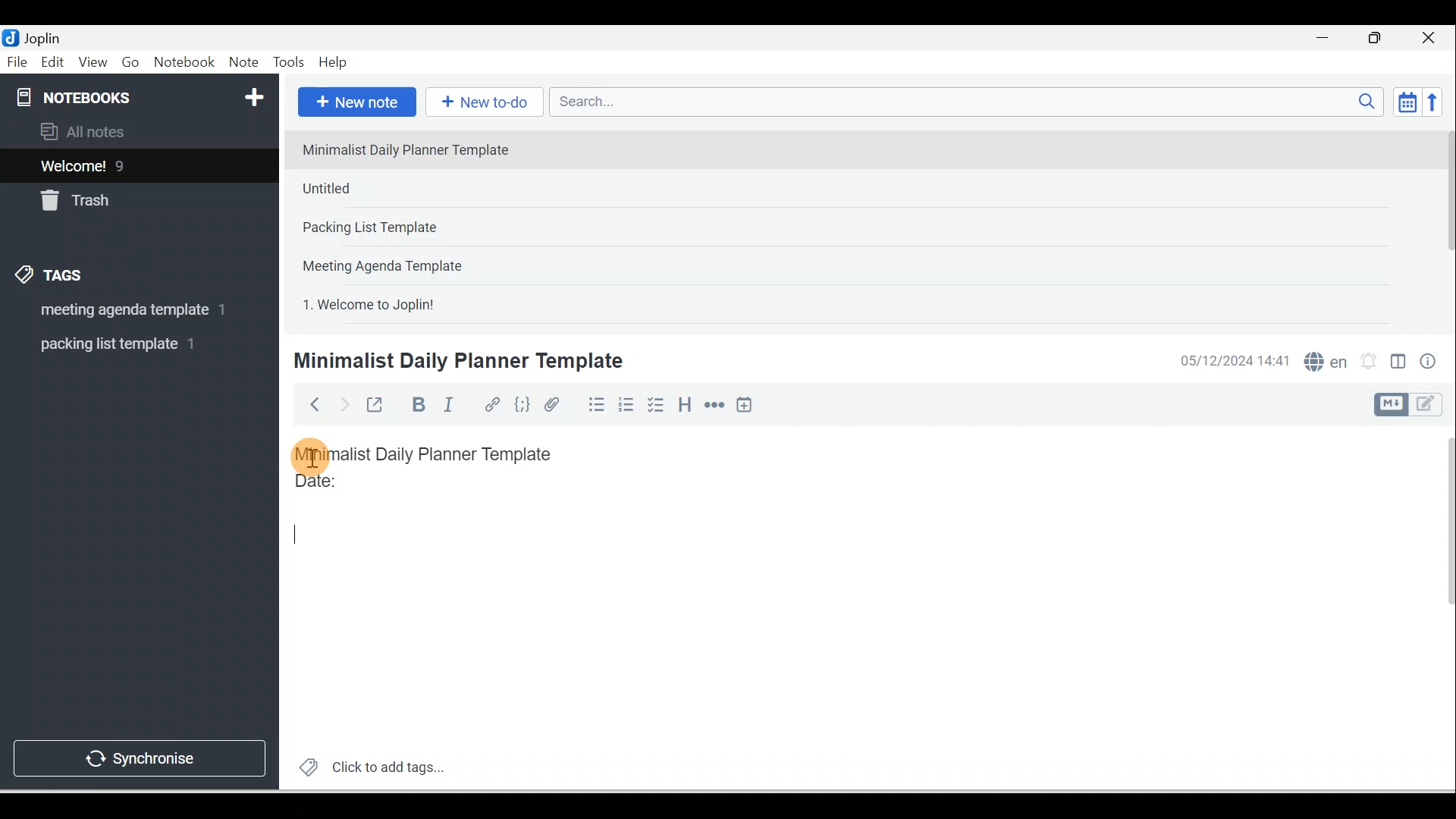 This screenshot has height=819, width=1456. Describe the element at coordinates (684, 403) in the screenshot. I see `Heading` at that location.